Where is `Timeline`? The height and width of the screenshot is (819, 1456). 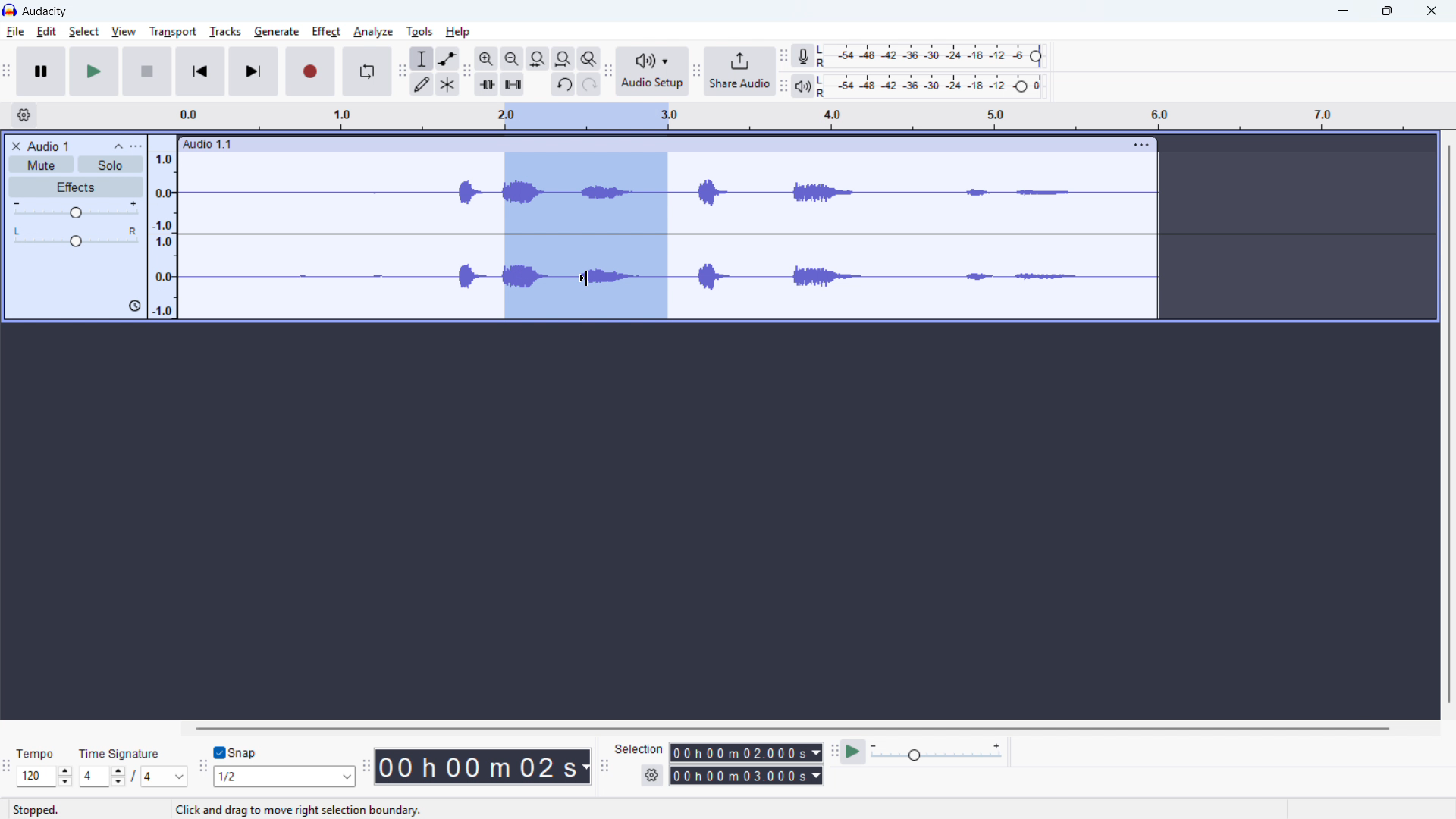 Timeline is located at coordinates (805, 116).